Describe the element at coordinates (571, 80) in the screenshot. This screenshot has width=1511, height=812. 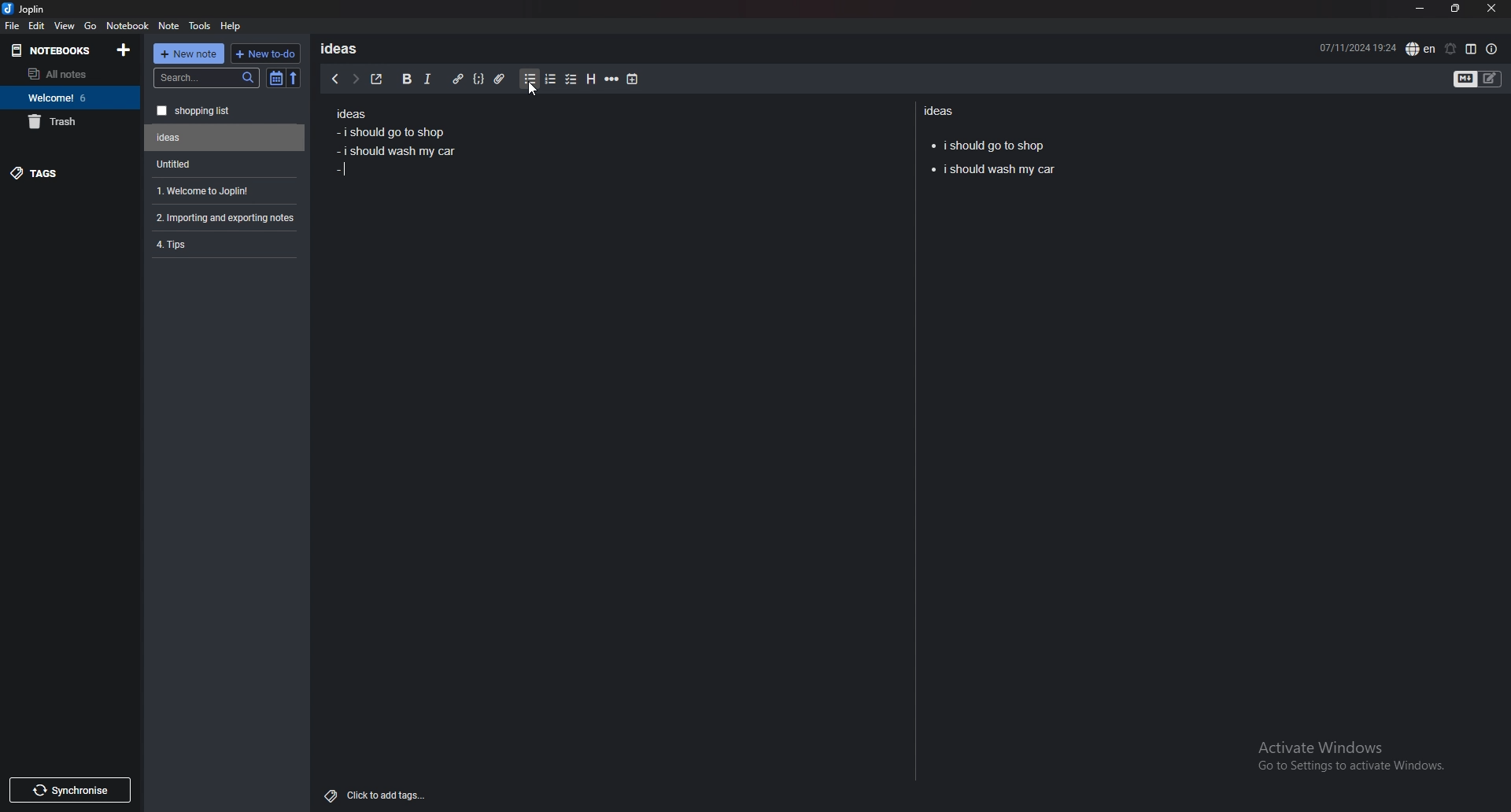
I see `checkbox` at that location.